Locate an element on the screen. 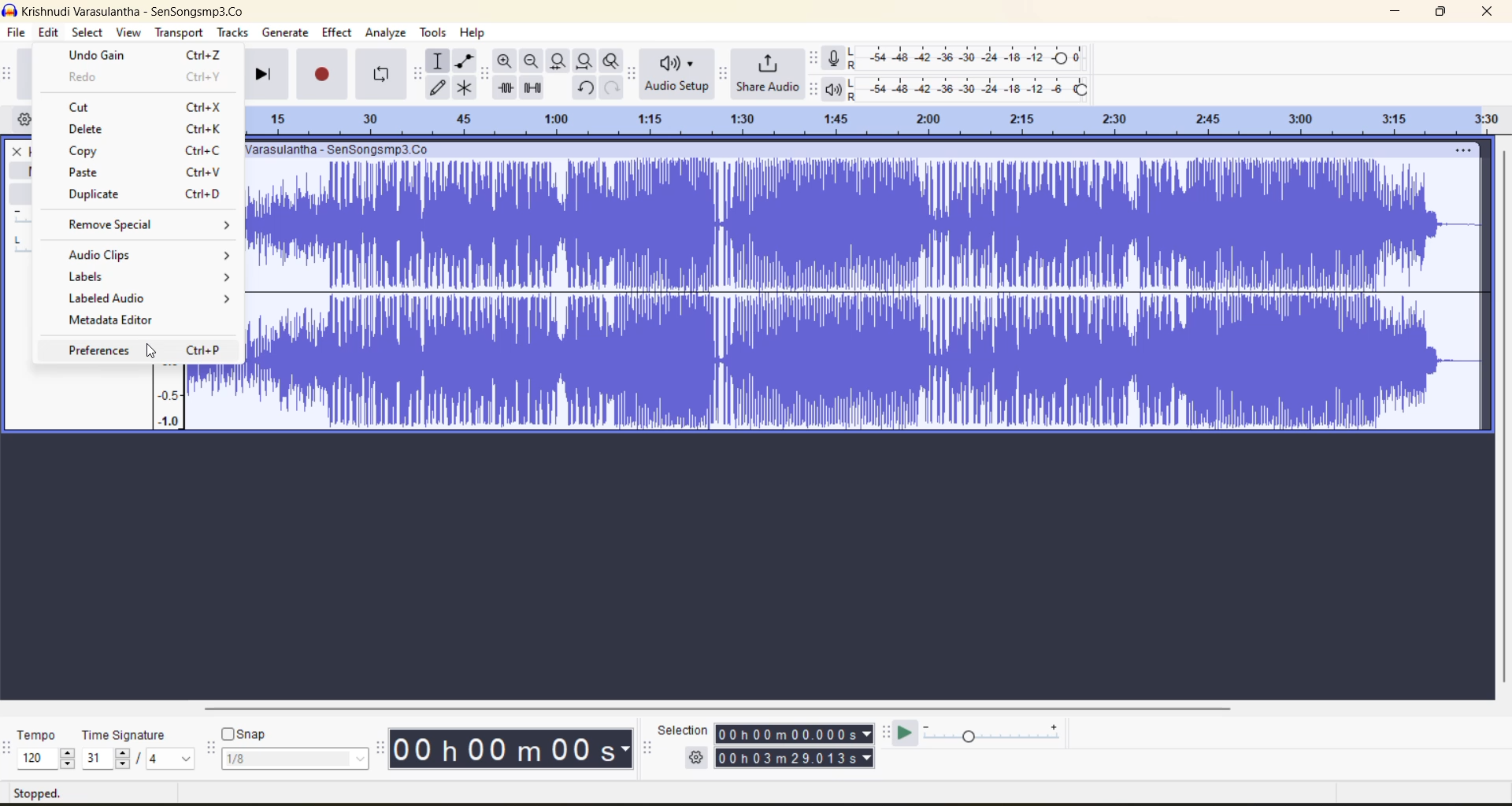  help is located at coordinates (475, 31).